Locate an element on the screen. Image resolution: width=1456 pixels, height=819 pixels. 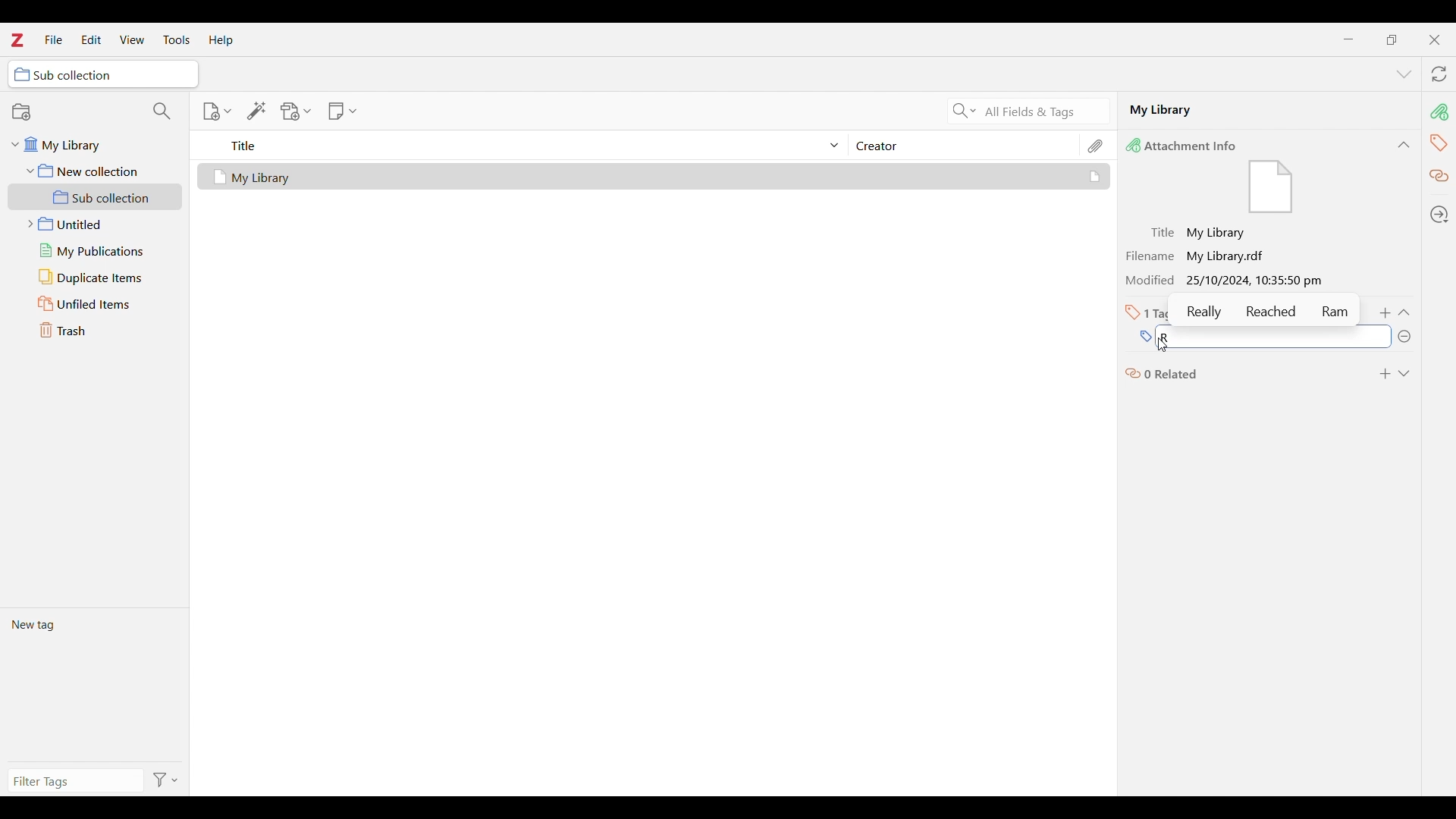
View menu is located at coordinates (133, 39).